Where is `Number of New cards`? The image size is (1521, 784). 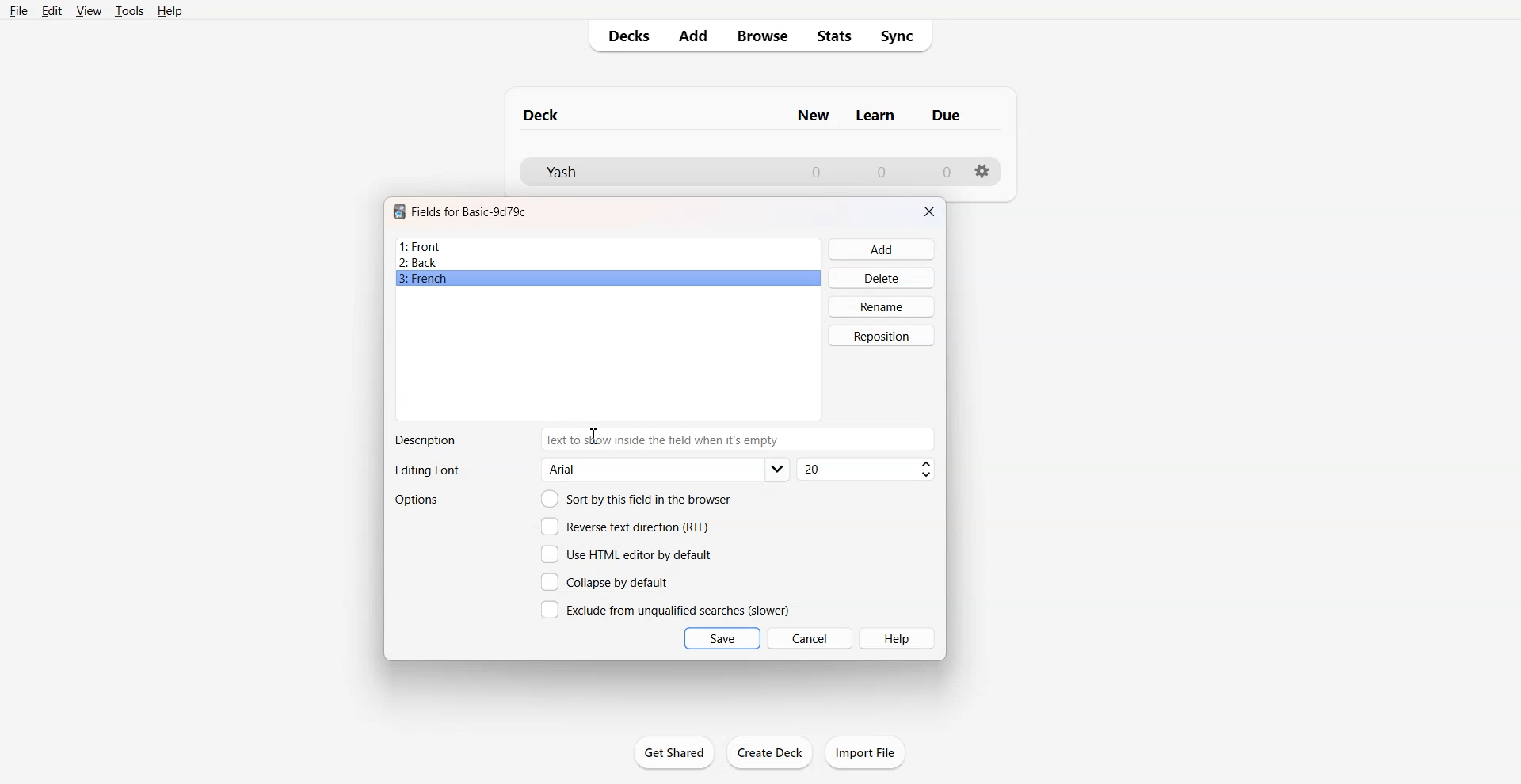
Number of New cards is located at coordinates (816, 172).